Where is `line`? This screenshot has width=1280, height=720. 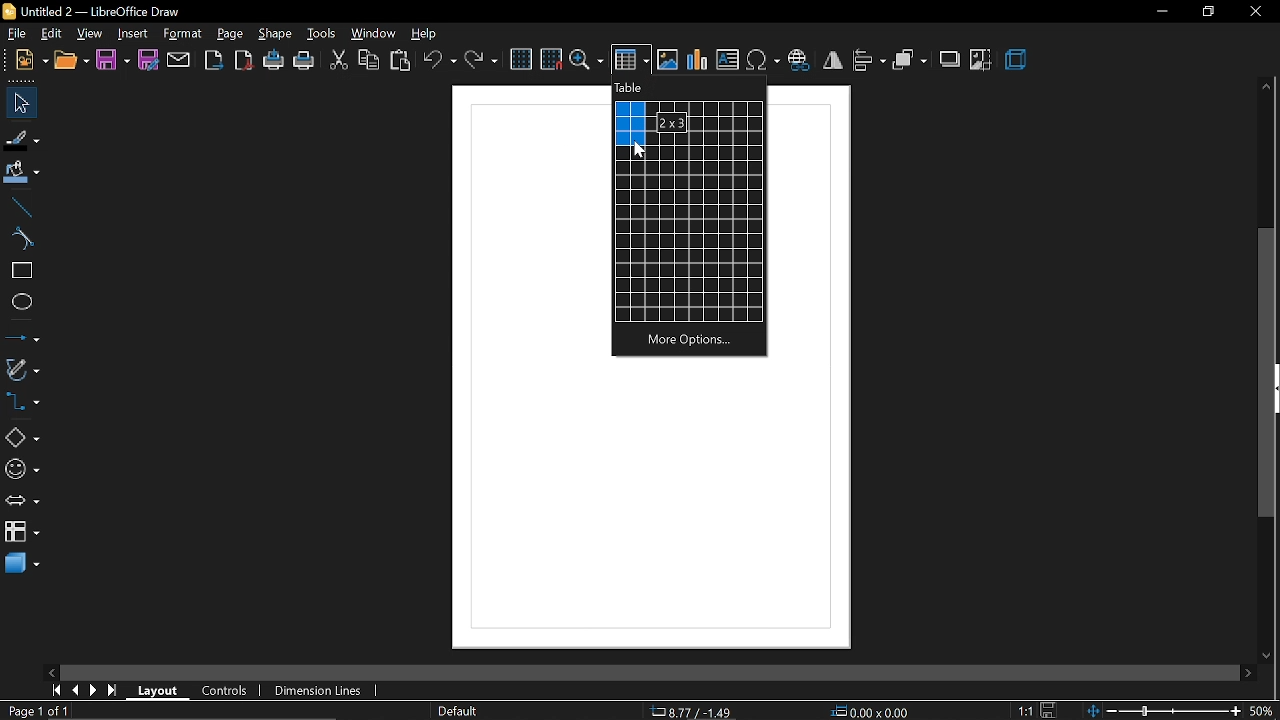
line is located at coordinates (18, 209).